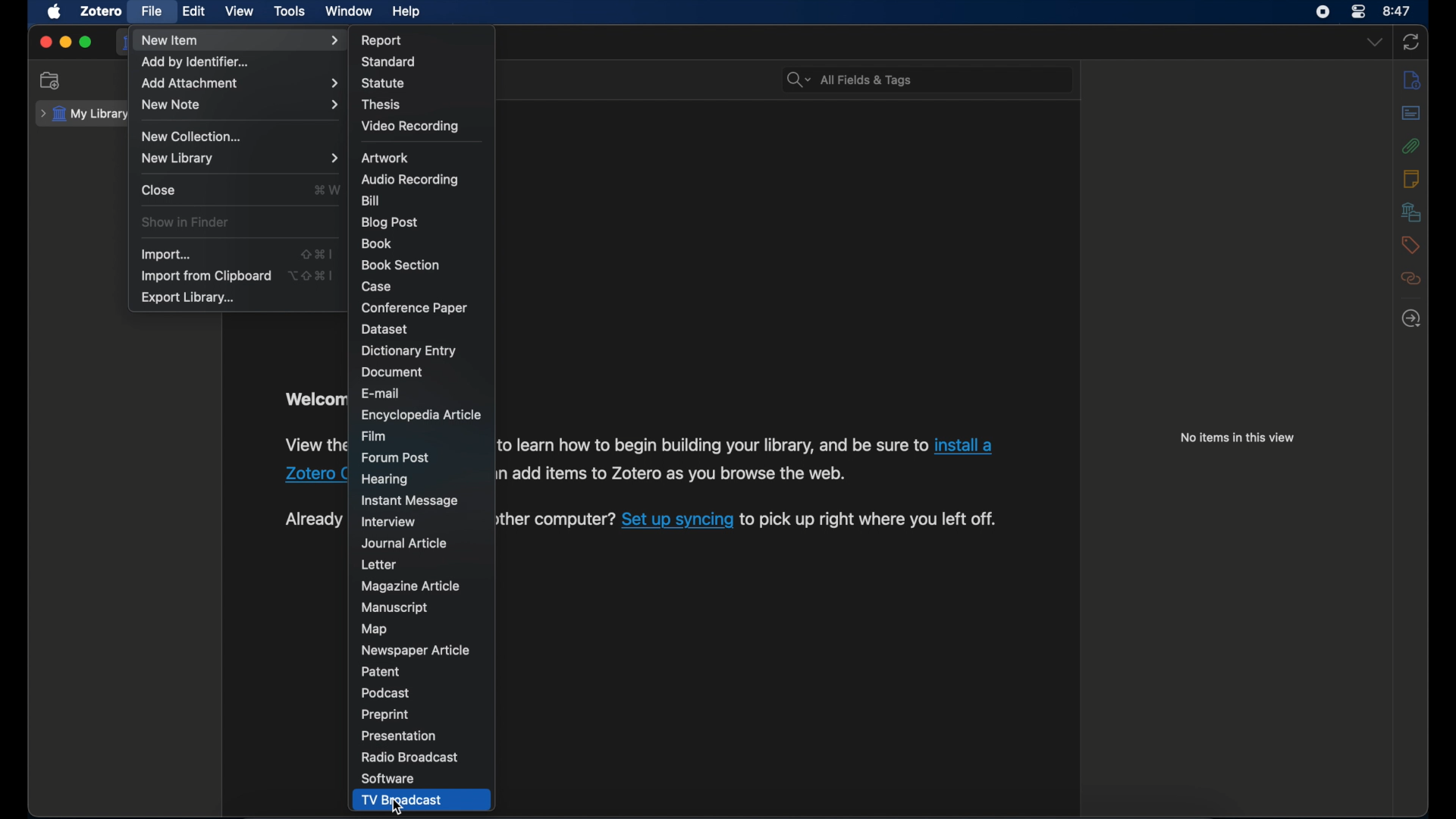 The height and width of the screenshot is (819, 1456). I want to click on maximize, so click(86, 42).